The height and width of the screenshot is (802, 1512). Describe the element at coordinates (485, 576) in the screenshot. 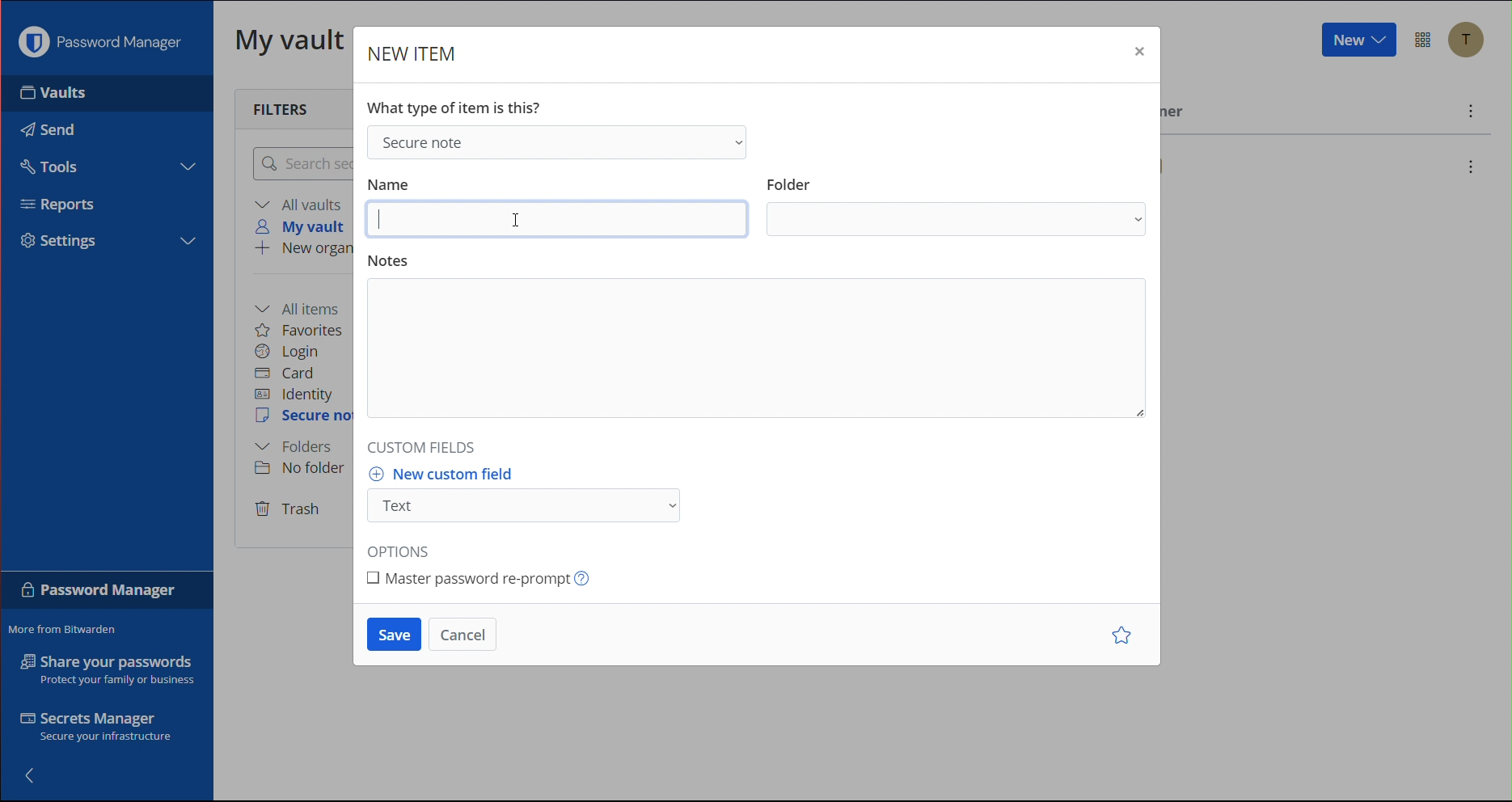

I see `Master password prompt` at that location.